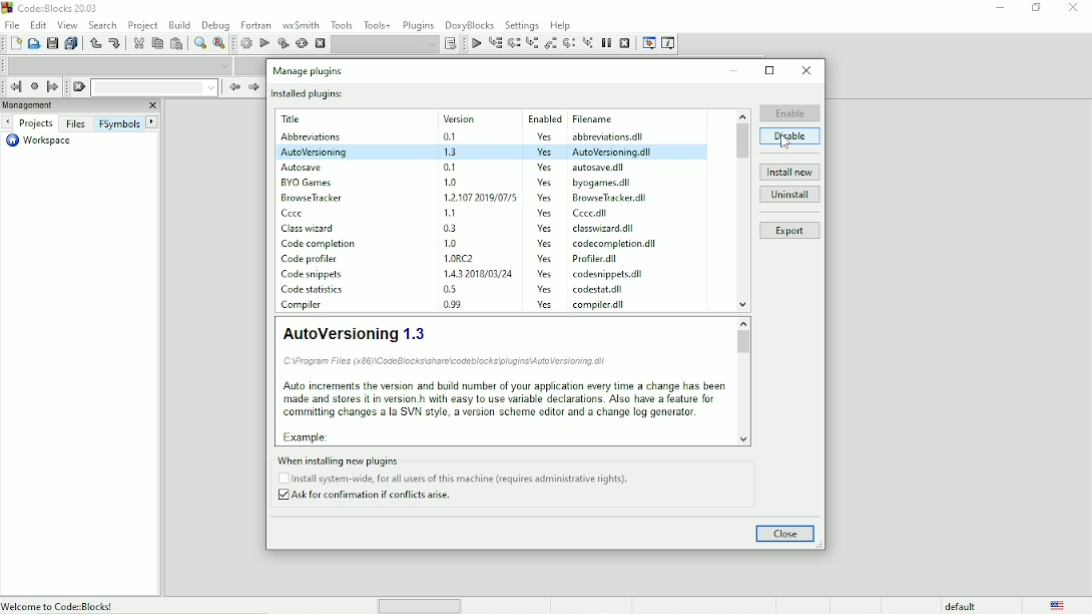 This screenshot has height=614, width=1092. Describe the element at coordinates (302, 168) in the screenshot. I see `Autosave` at that location.